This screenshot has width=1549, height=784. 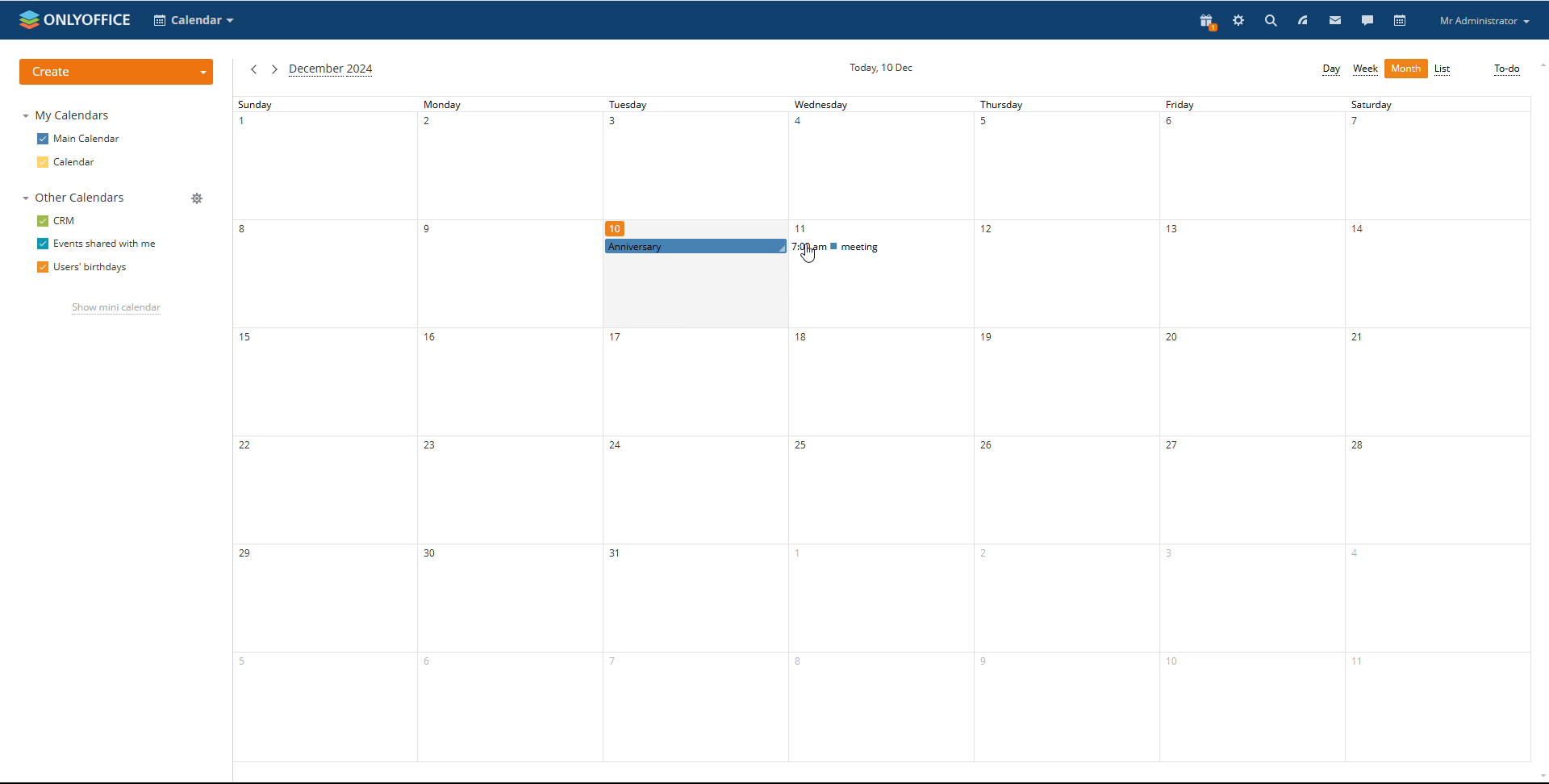 What do you see at coordinates (691, 510) in the screenshot?
I see `tuesday` at bounding box center [691, 510].